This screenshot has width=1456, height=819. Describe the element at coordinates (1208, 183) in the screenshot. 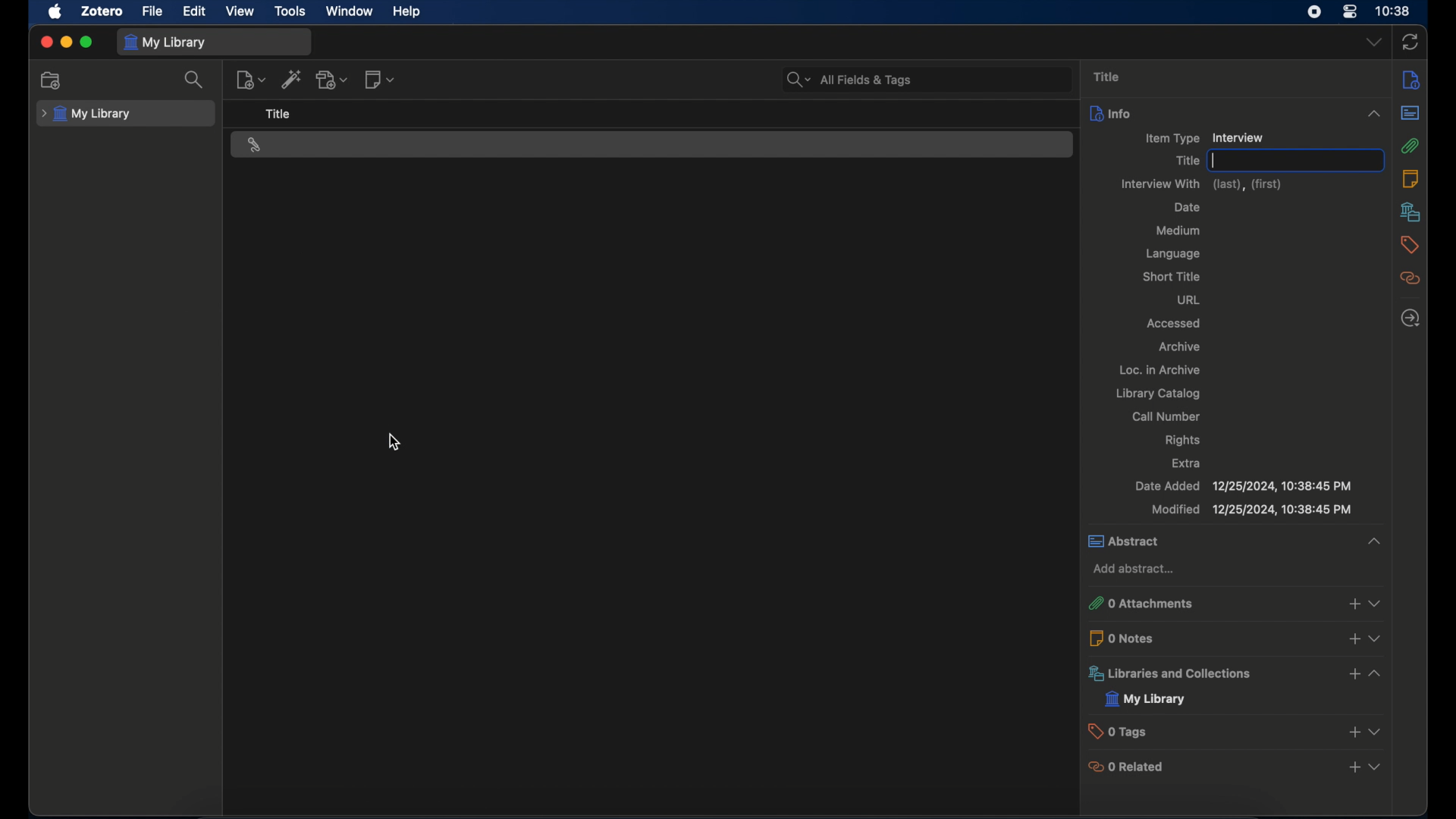

I see `interview with` at that location.